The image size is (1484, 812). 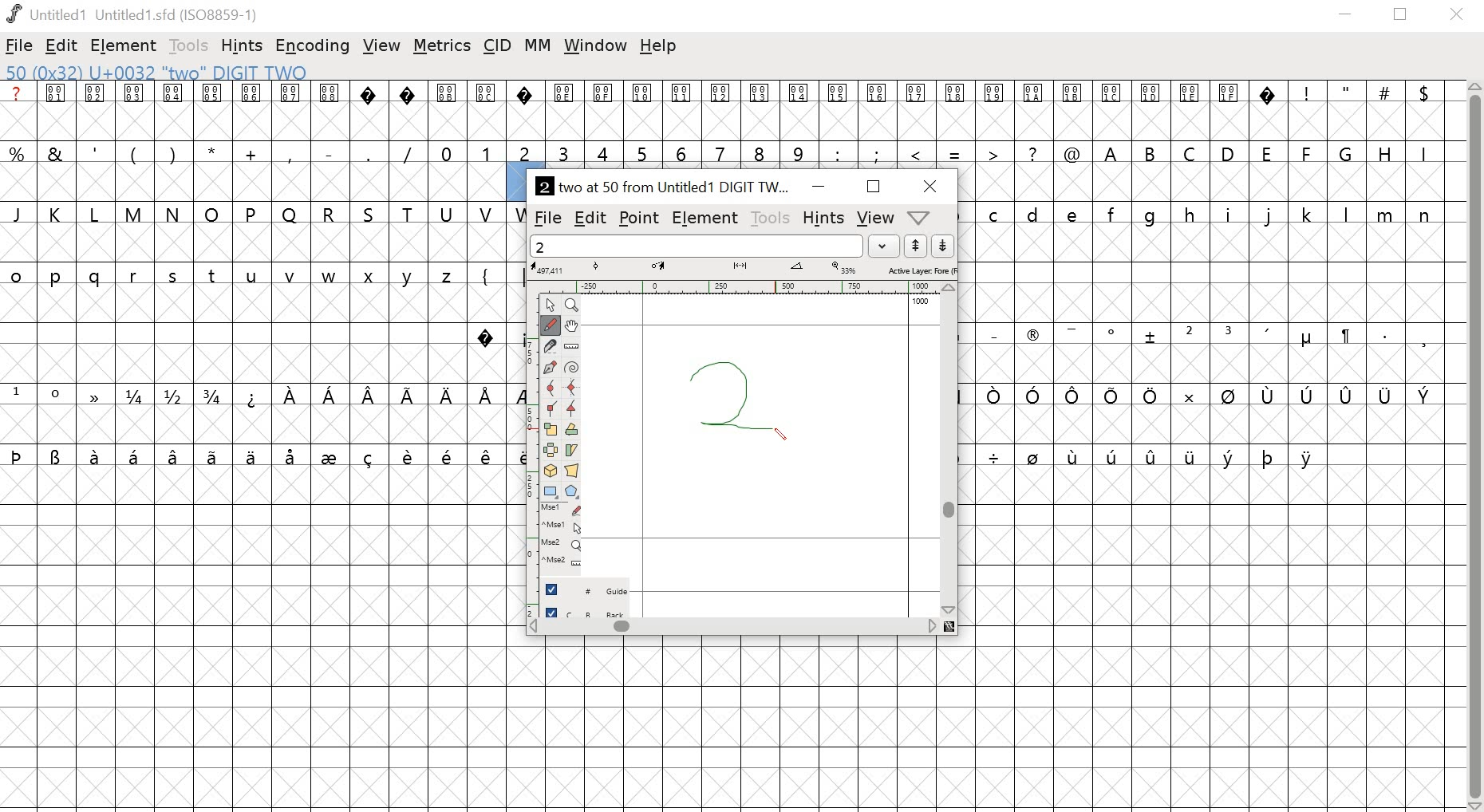 What do you see at coordinates (570, 327) in the screenshot?
I see `pan` at bounding box center [570, 327].